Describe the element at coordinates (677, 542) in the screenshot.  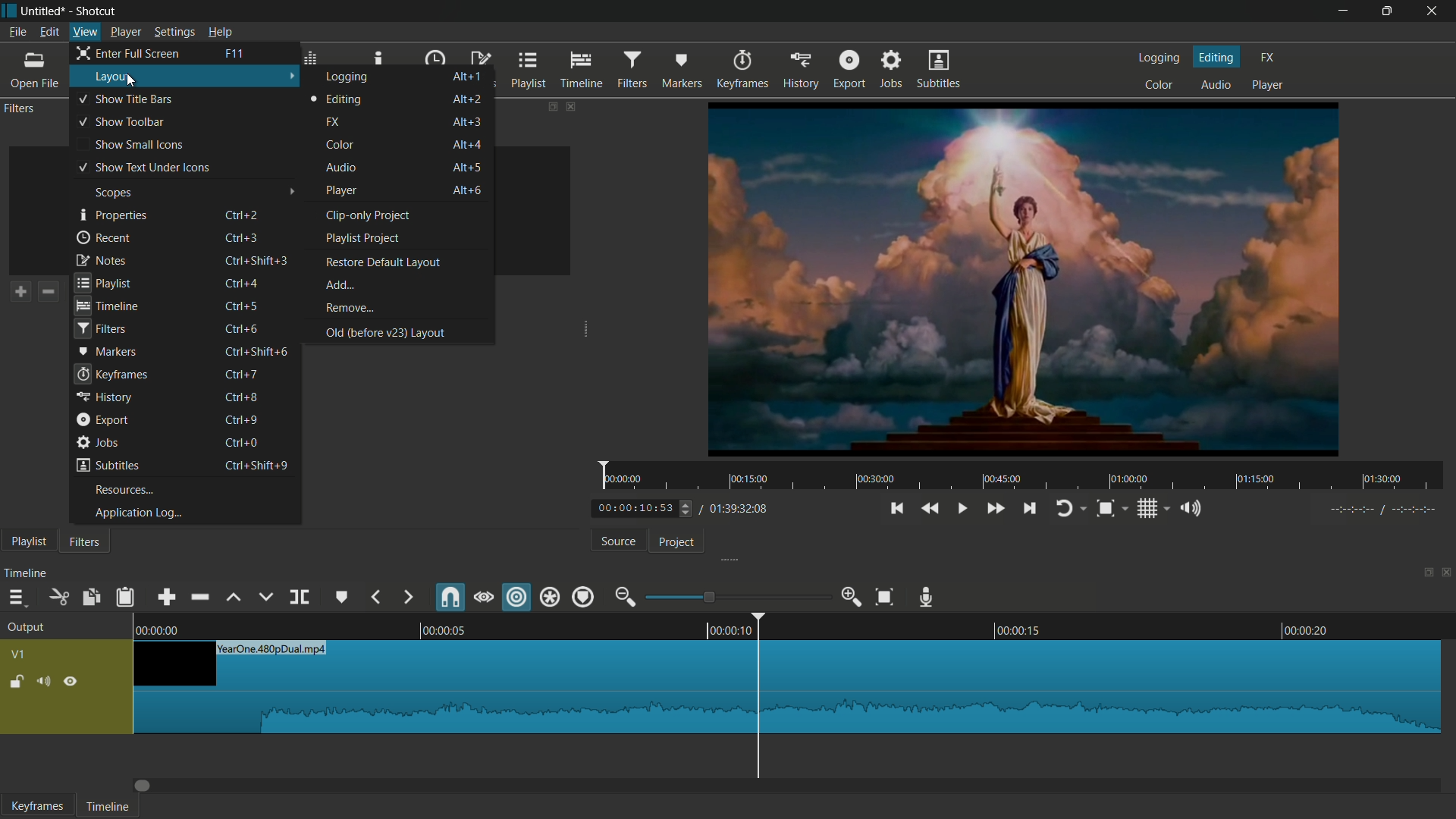
I see `project` at that location.